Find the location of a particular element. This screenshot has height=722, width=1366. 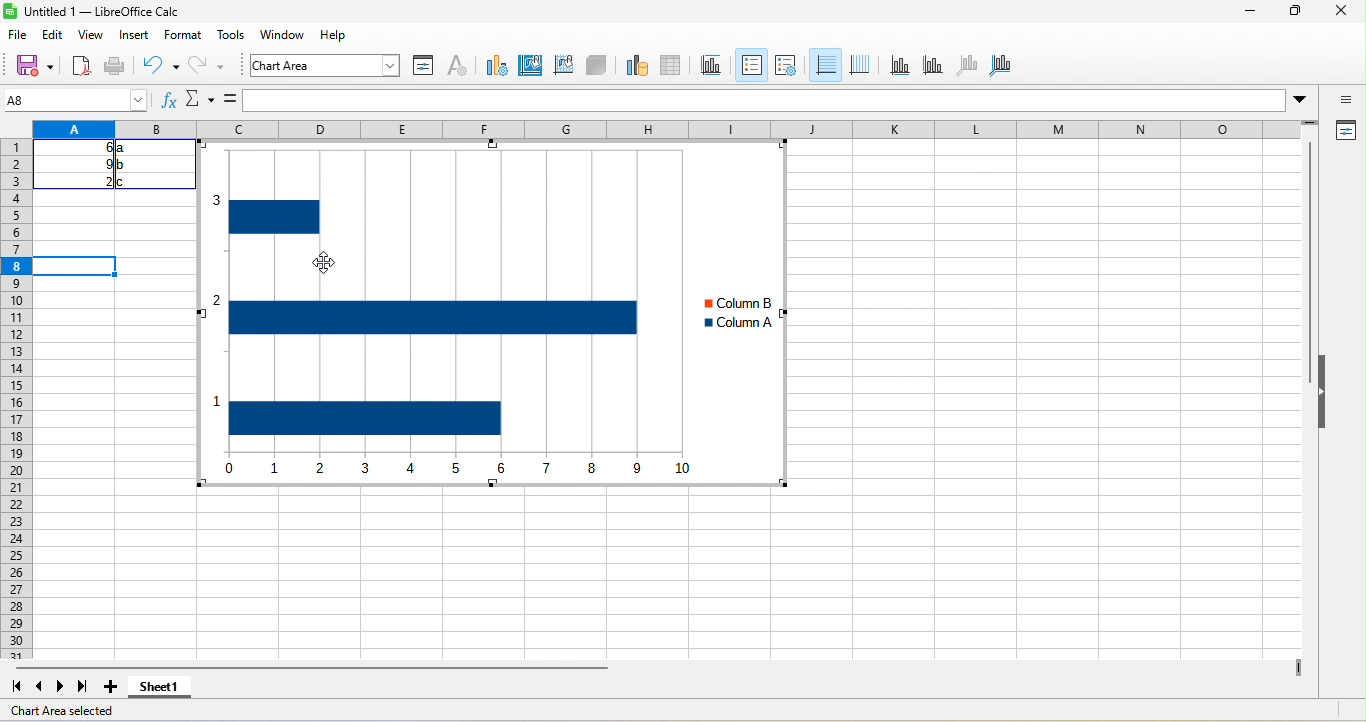

vertical scroll bar is located at coordinates (1307, 294).